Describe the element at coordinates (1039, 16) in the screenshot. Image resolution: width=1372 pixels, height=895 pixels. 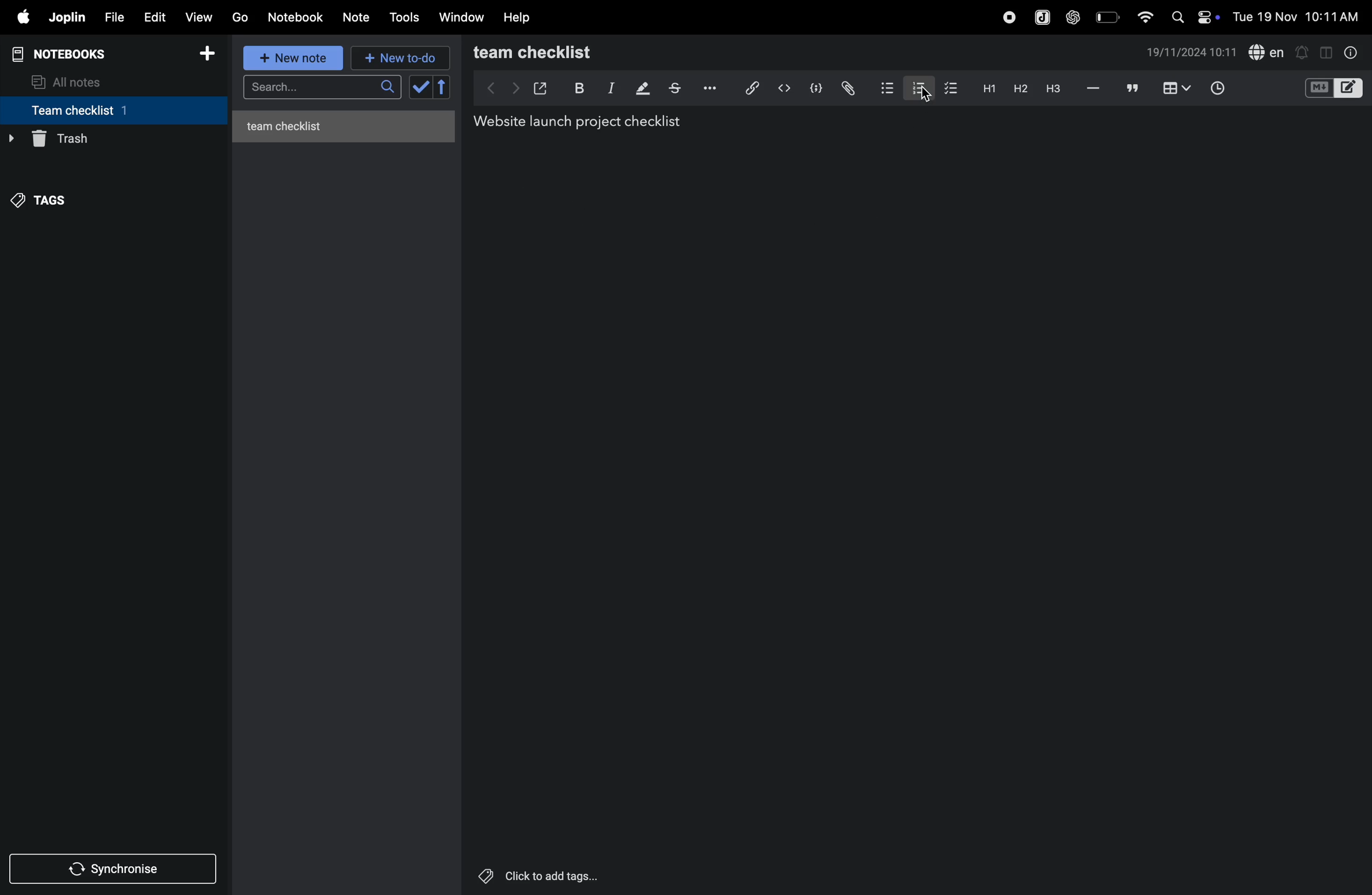
I see `joplin` at that location.